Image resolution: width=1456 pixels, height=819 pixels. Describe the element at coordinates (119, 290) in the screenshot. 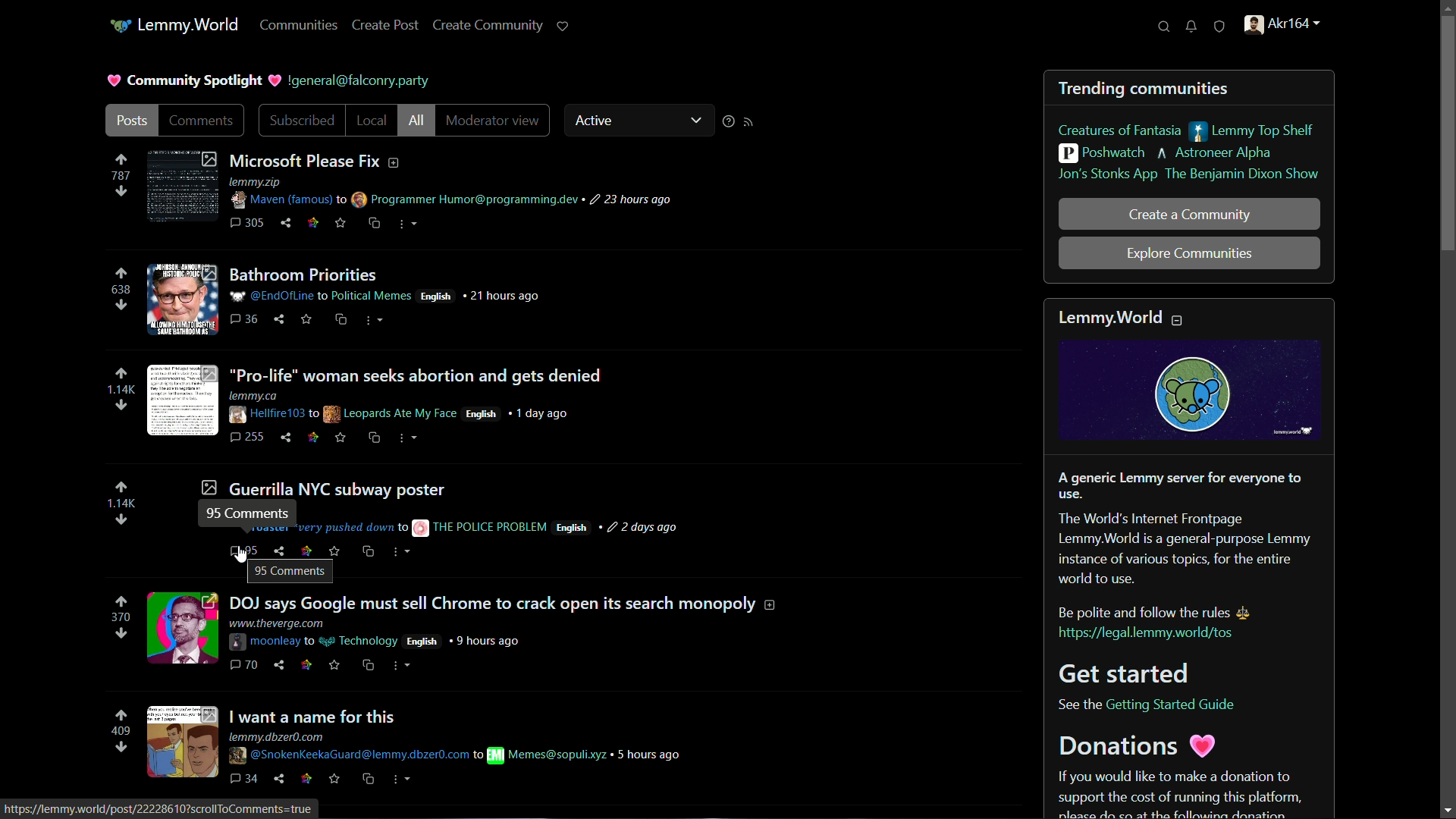

I see `number of votes` at that location.